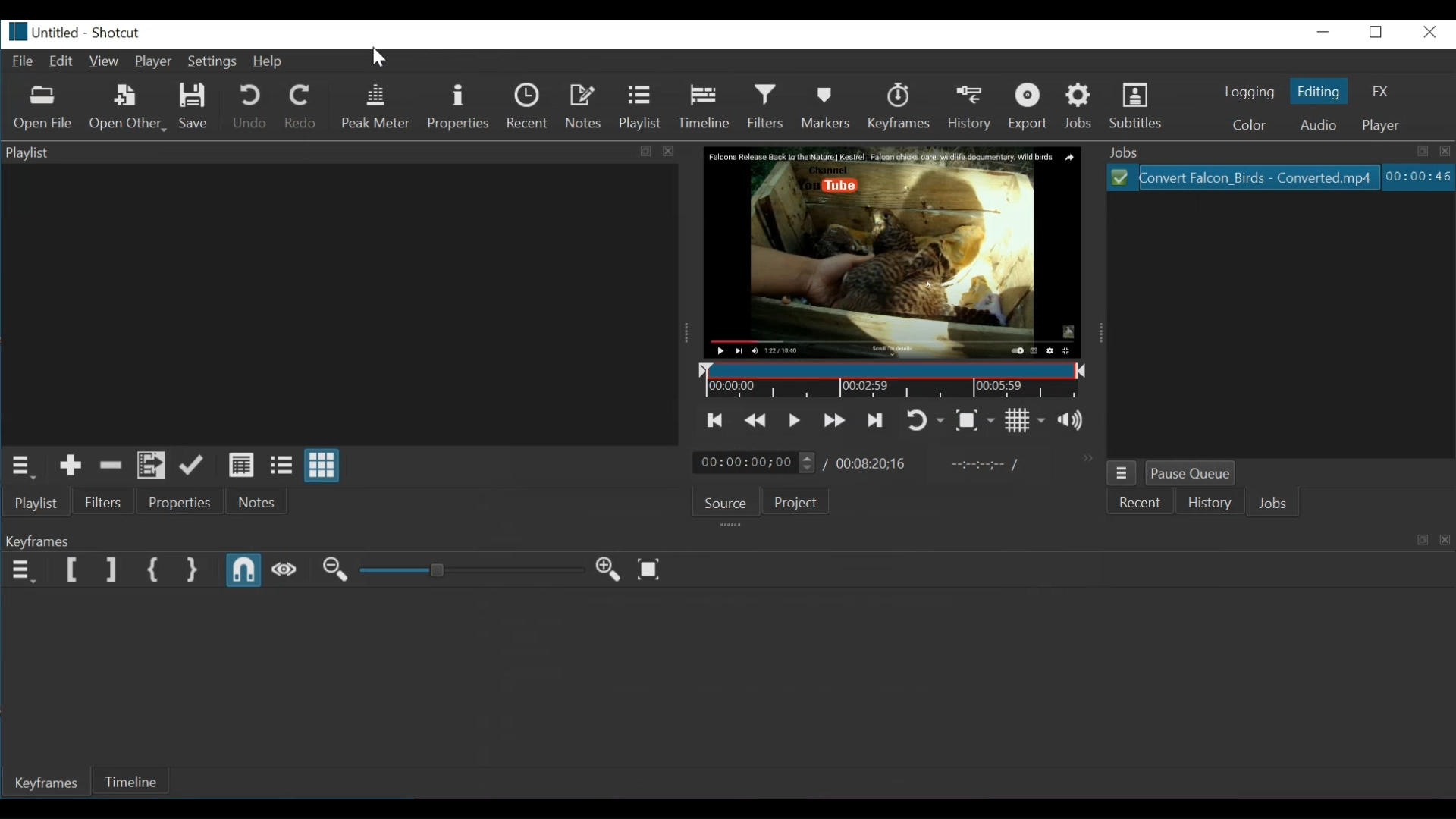  I want to click on Remove cut, so click(111, 465).